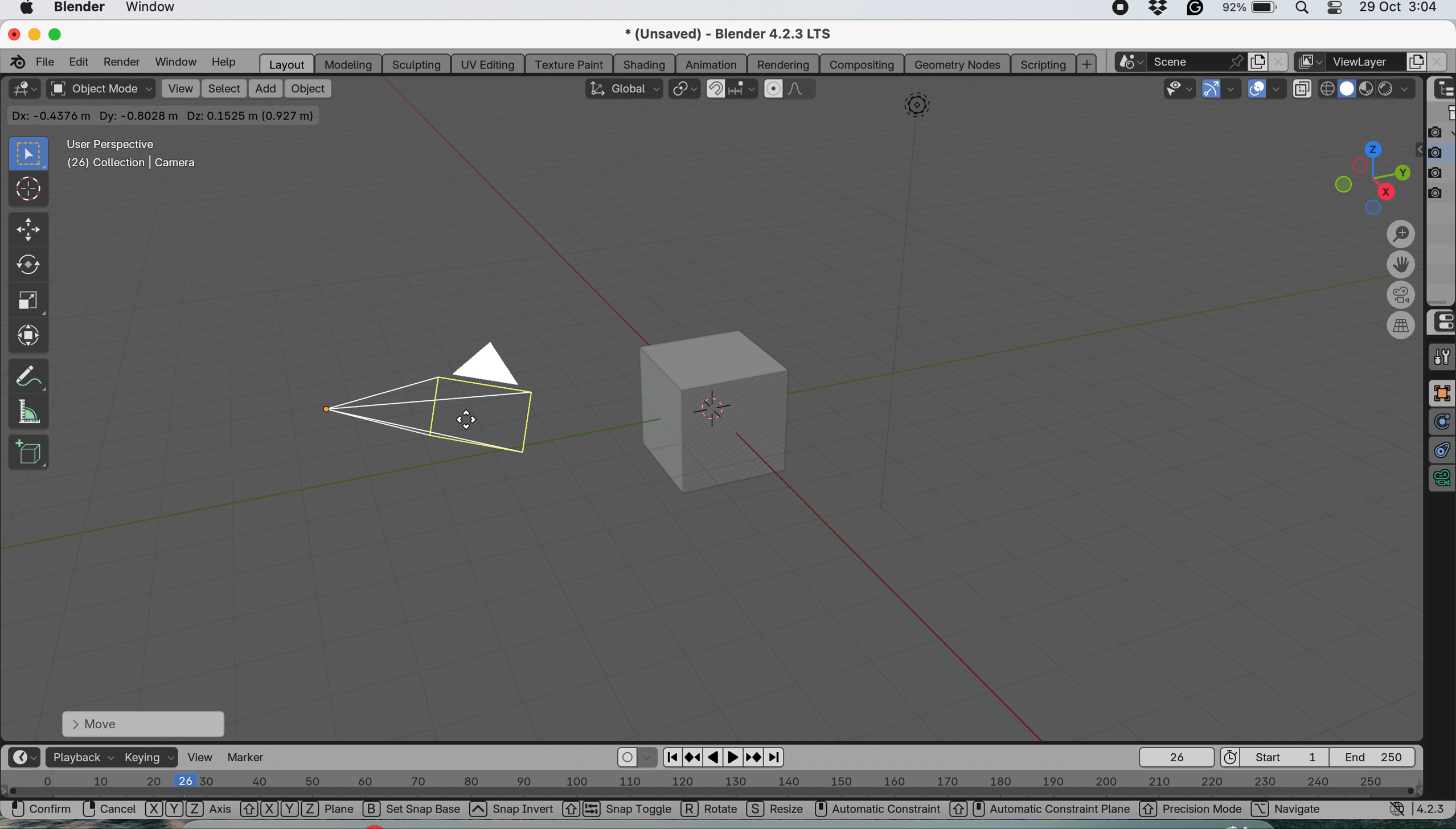  I want to click on new scene, so click(1256, 60).